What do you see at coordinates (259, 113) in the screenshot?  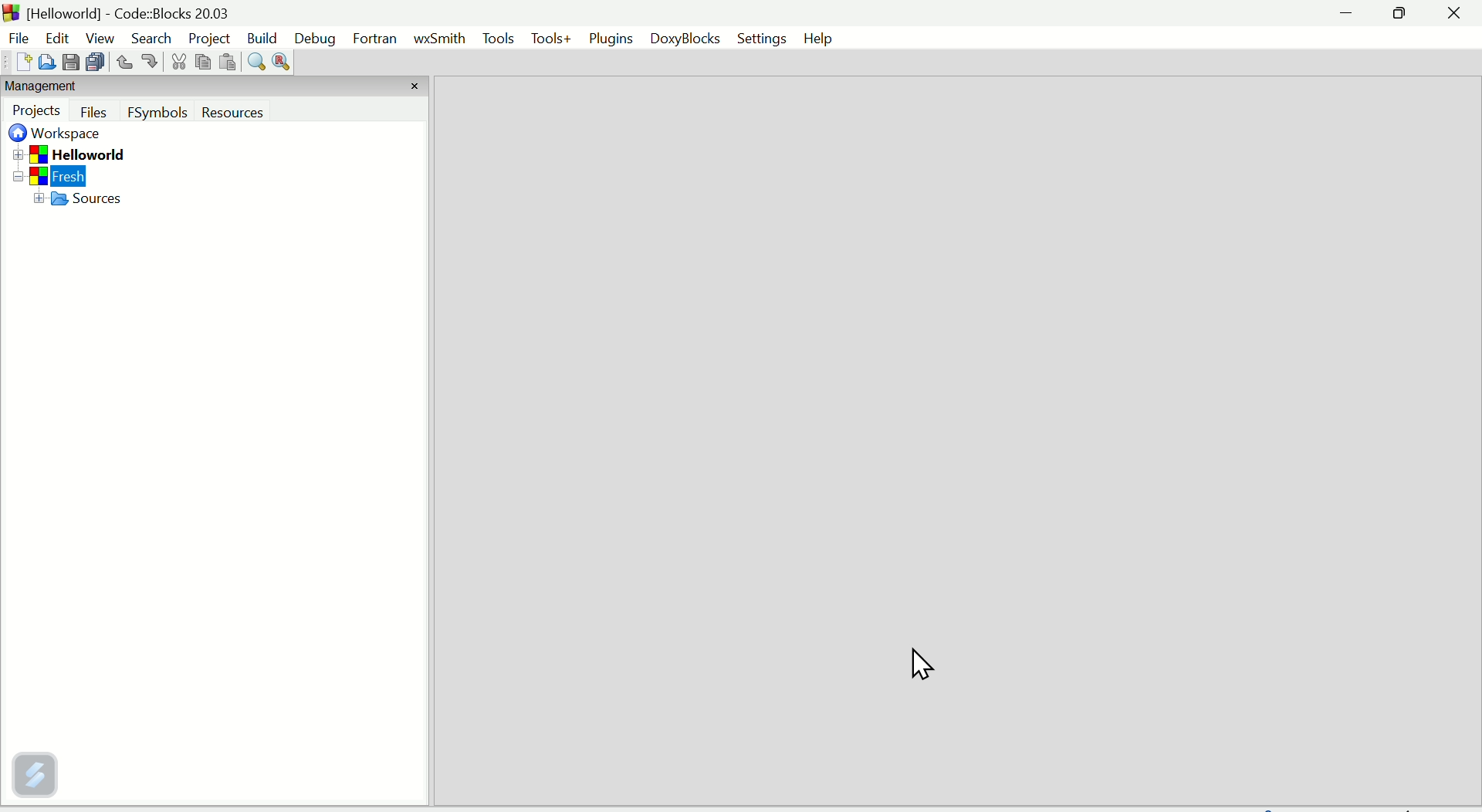 I see `Resources` at bounding box center [259, 113].